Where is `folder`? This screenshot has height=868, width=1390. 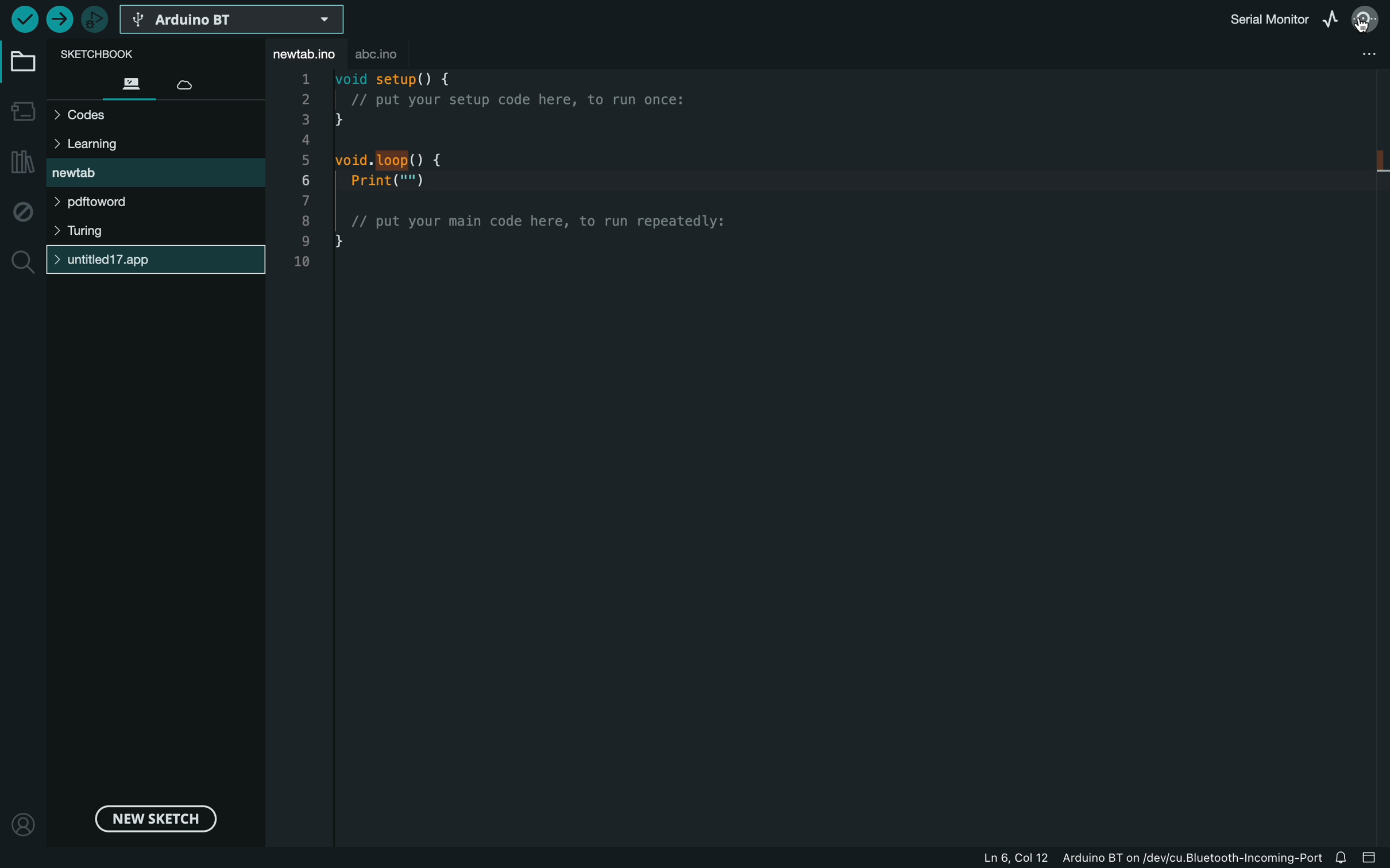 folder is located at coordinates (21, 61).